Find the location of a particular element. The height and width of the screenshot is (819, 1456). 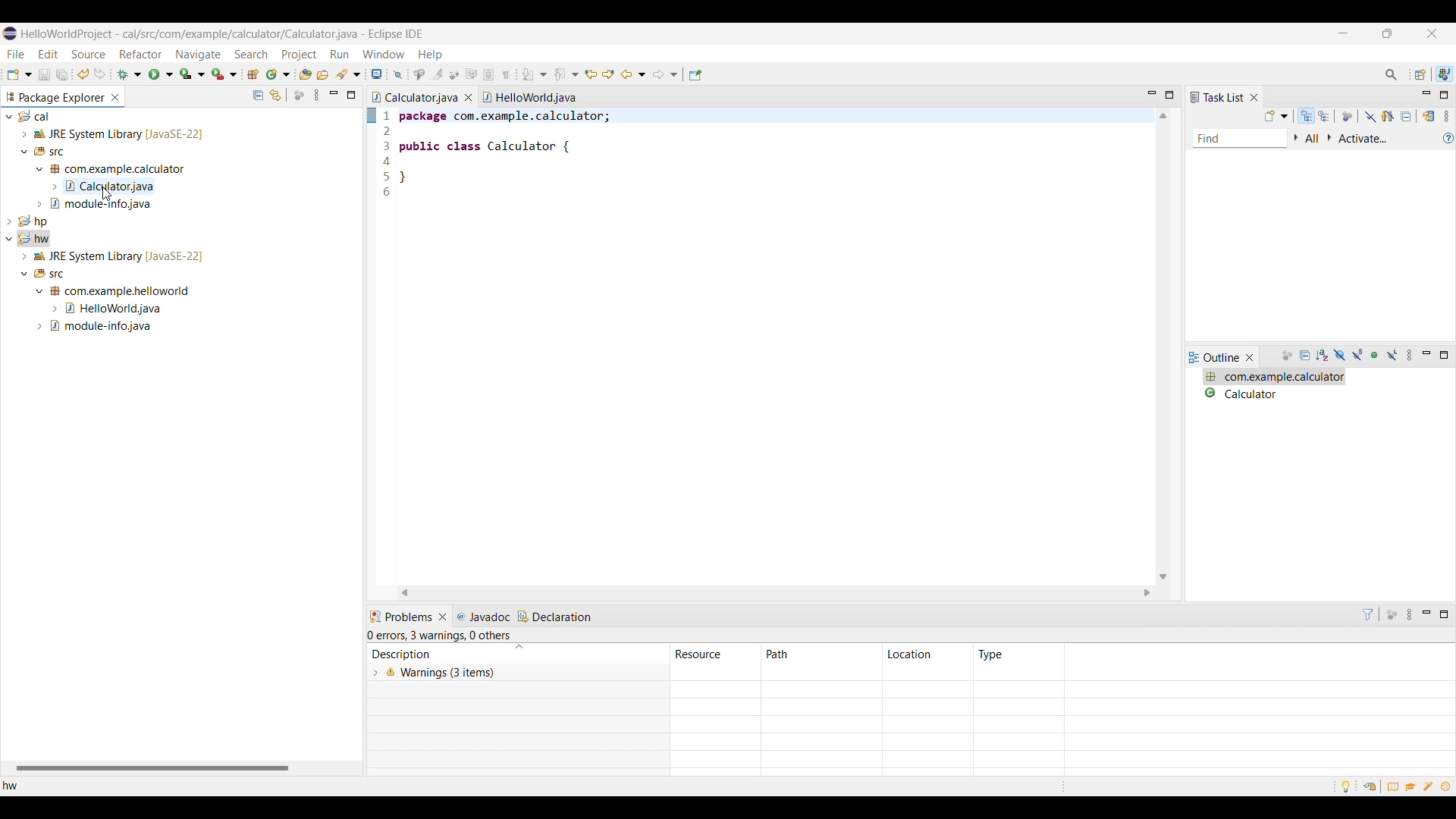

Toggle block selection is located at coordinates (490, 74).